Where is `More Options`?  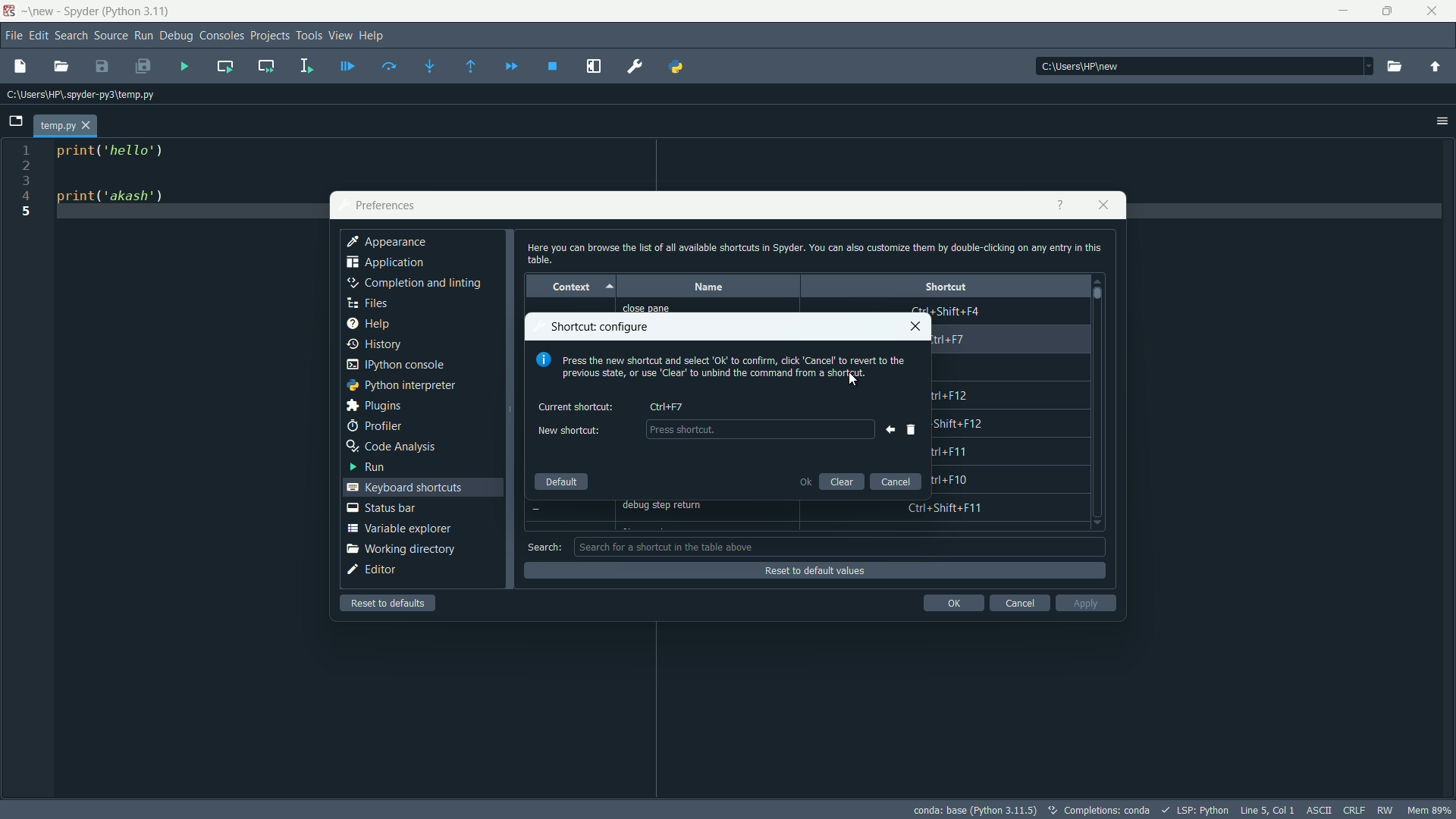
More Options is located at coordinates (1358, 67).